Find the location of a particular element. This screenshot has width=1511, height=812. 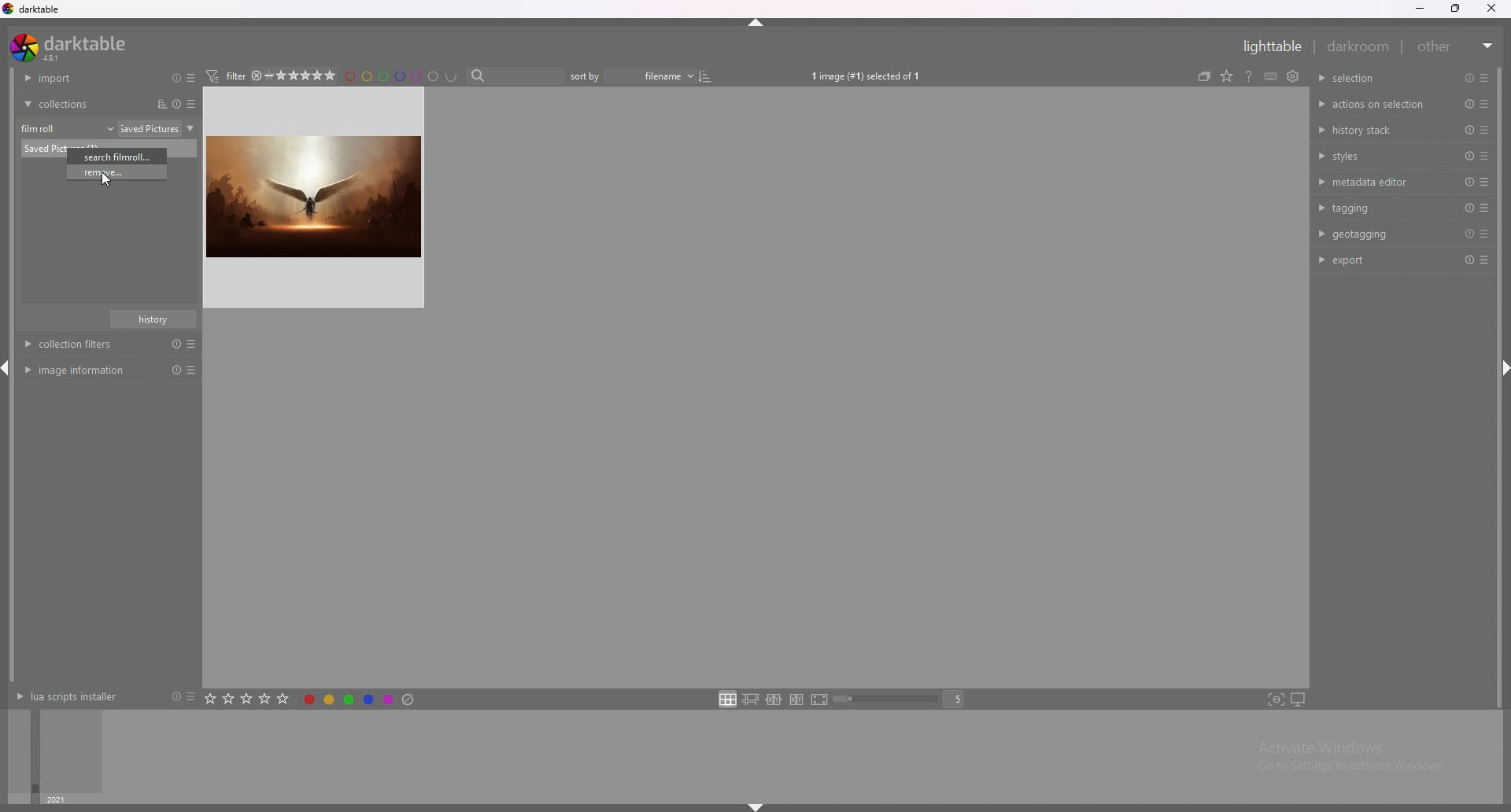

filename is located at coordinates (657, 76).